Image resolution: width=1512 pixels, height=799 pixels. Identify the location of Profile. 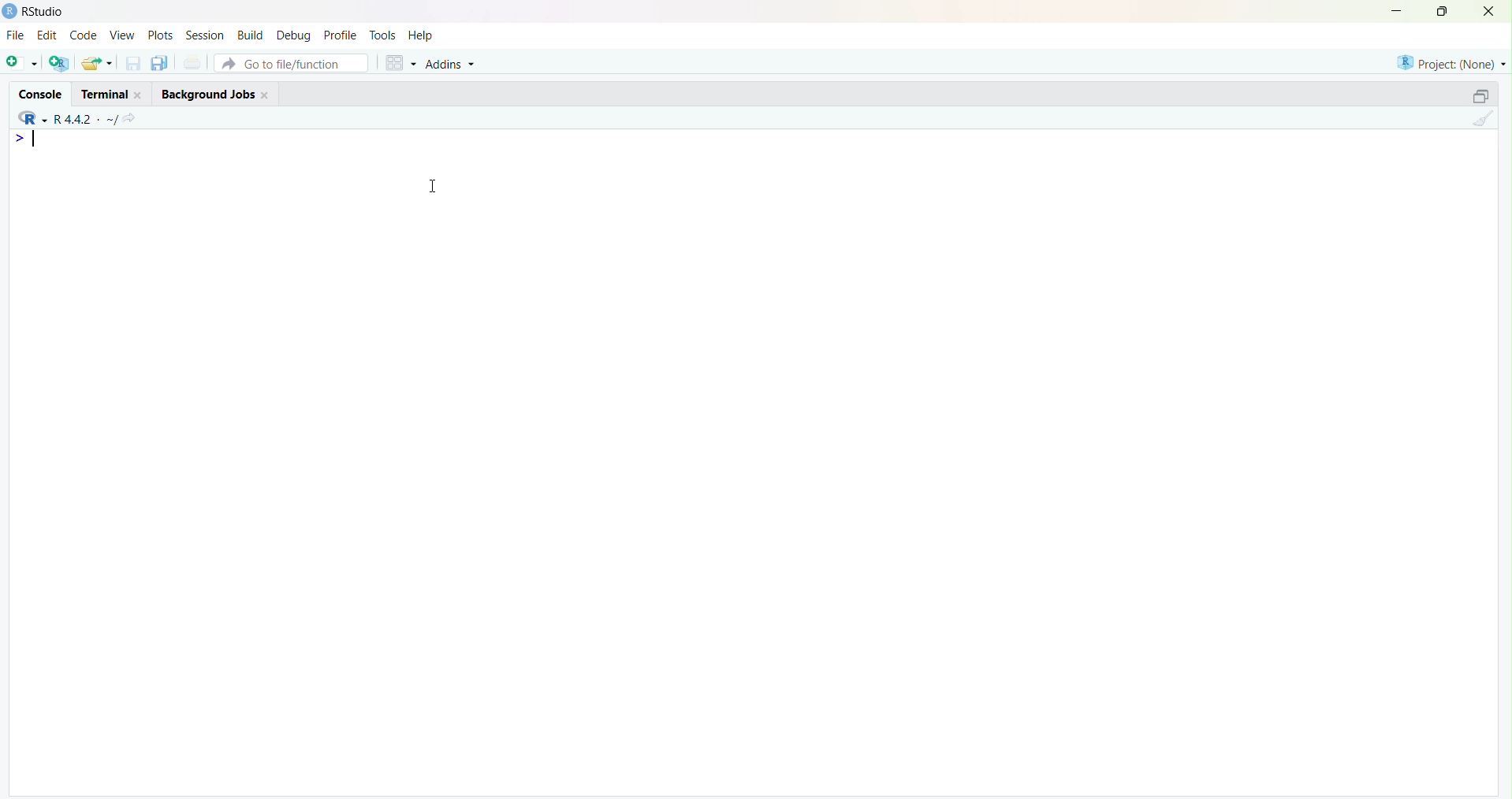
(340, 35).